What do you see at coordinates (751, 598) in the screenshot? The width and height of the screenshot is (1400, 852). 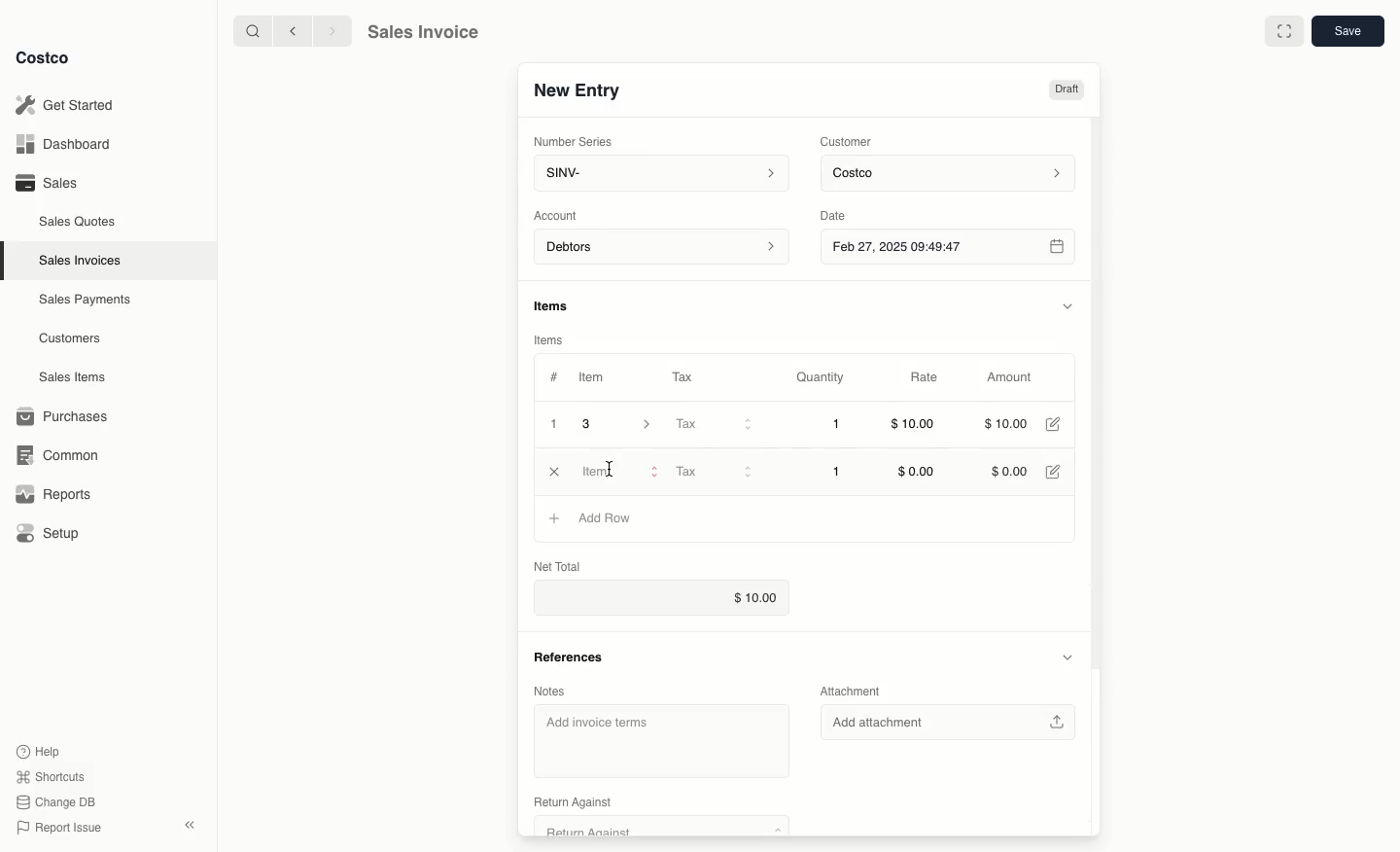 I see `$10.00` at bounding box center [751, 598].